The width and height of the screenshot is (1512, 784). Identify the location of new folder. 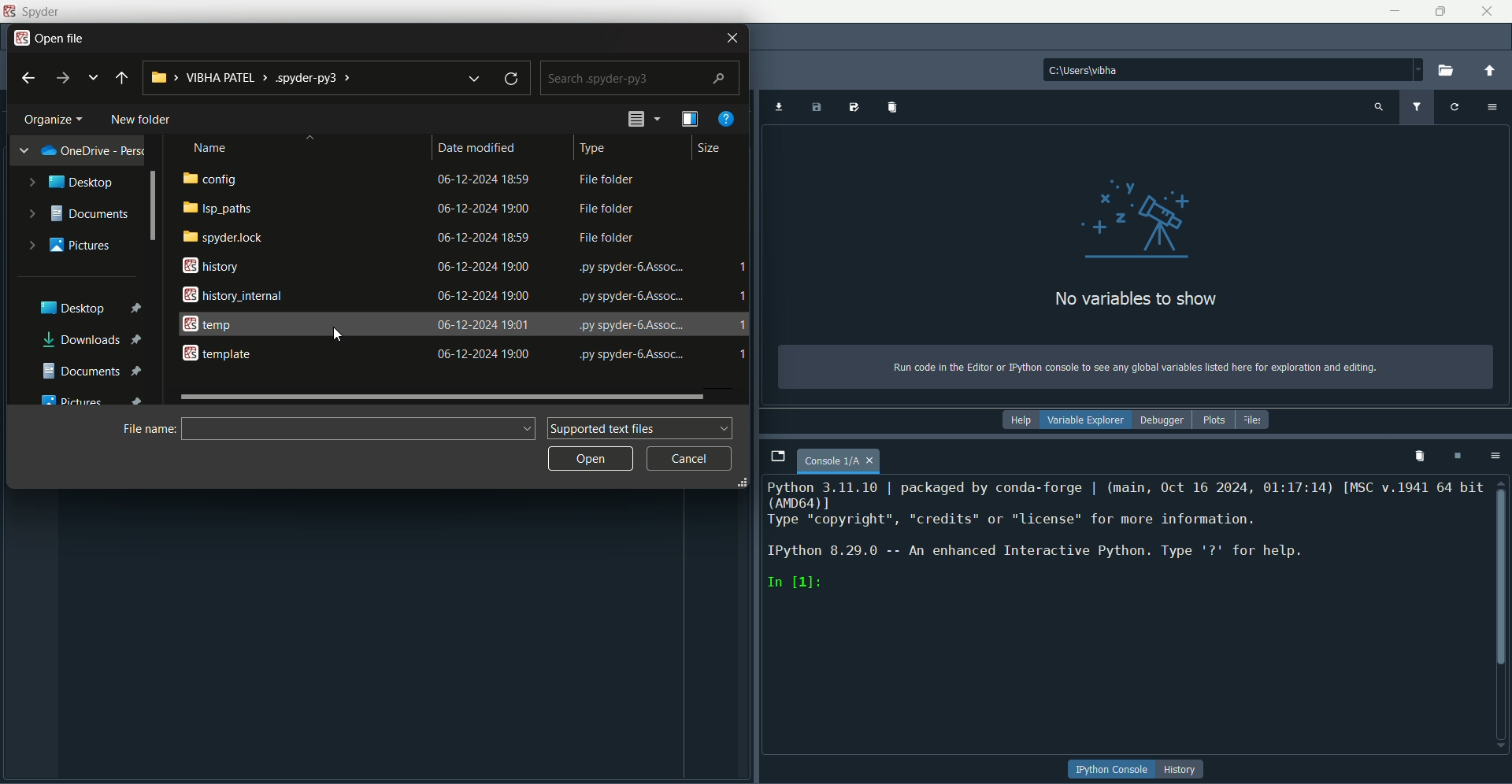
(141, 120).